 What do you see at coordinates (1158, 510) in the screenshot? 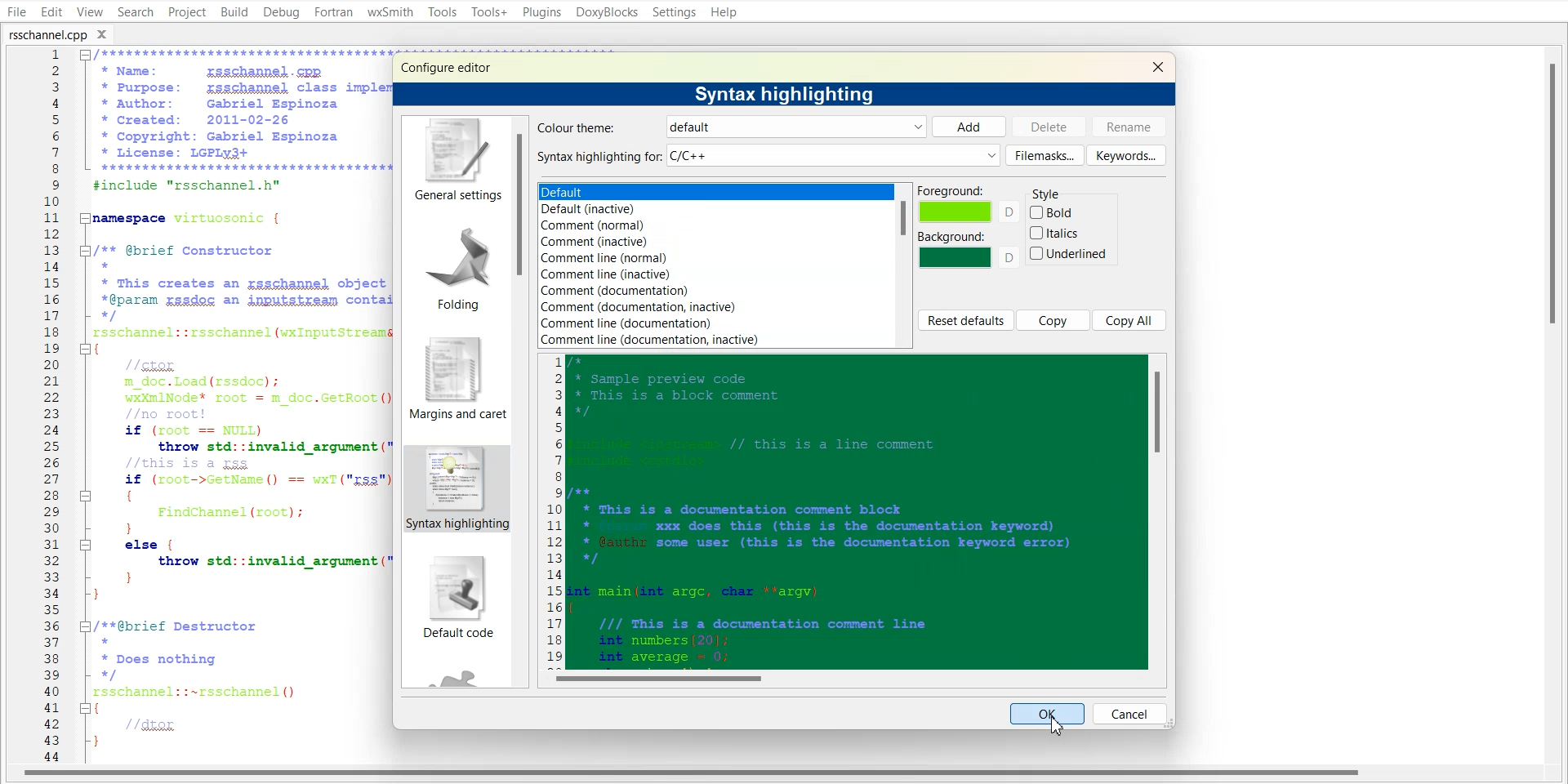
I see `Vertical scroll bar` at bounding box center [1158, 510].